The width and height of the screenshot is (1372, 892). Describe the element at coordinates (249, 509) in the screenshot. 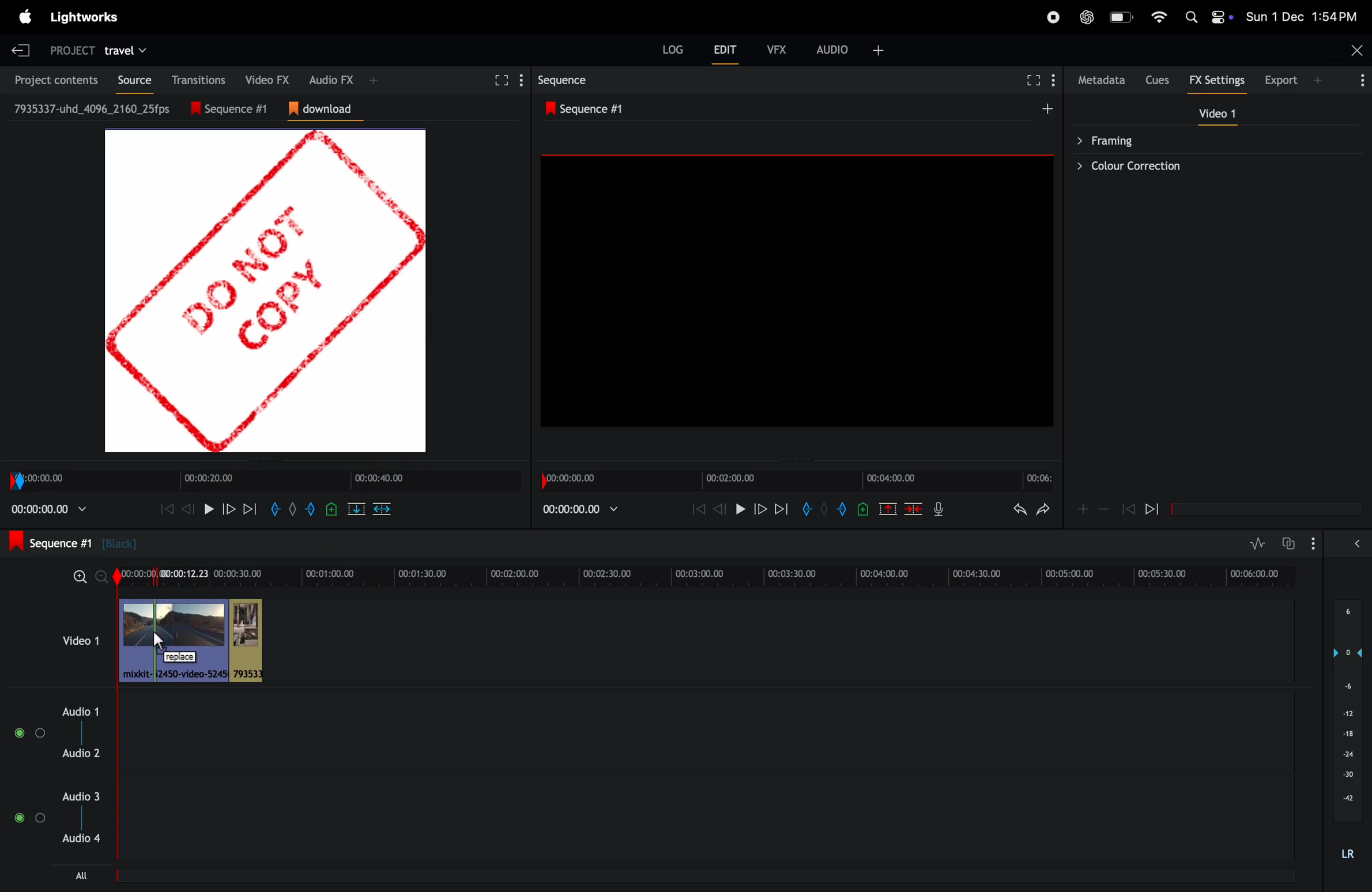

I see `next frame` at that location.